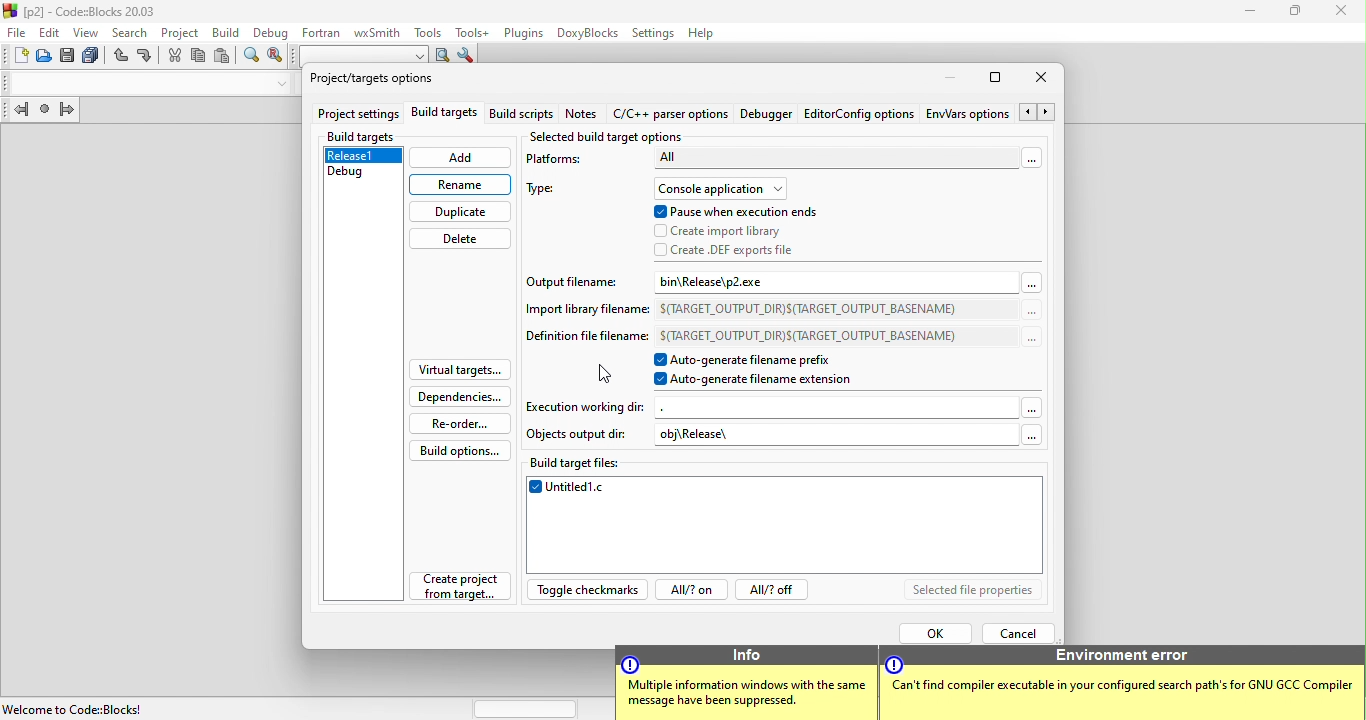 This screenshot has width=1366, height=720. Describe the element at coordinates (453, 591) in the screenshot. I see `create project from target` at that location.